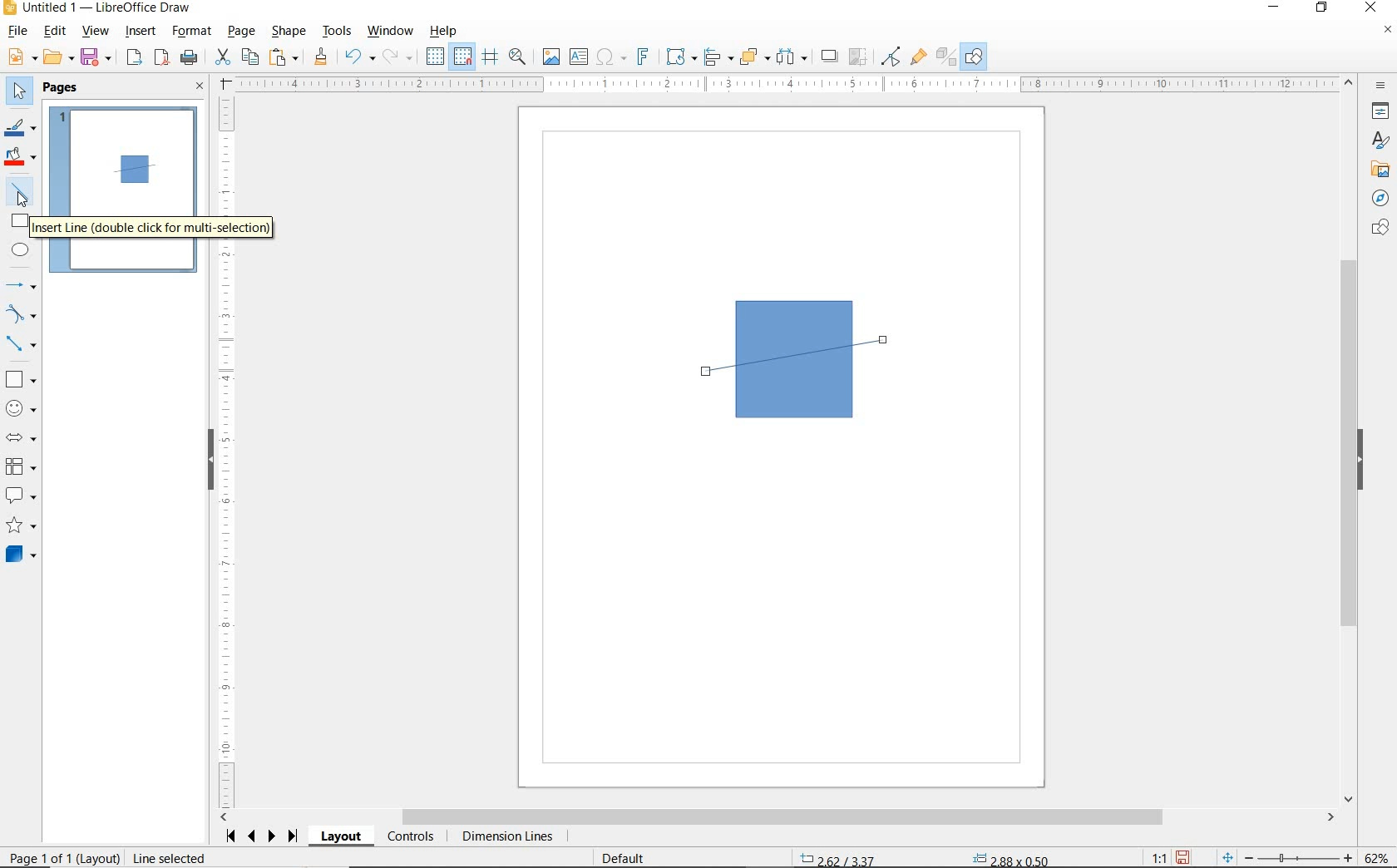 The height and width of the screenshot is (868, 1397). What do you see at coordinates (1360, 461) in the screenshot?
I see `HIDE` at bounding box center [1360, 461].